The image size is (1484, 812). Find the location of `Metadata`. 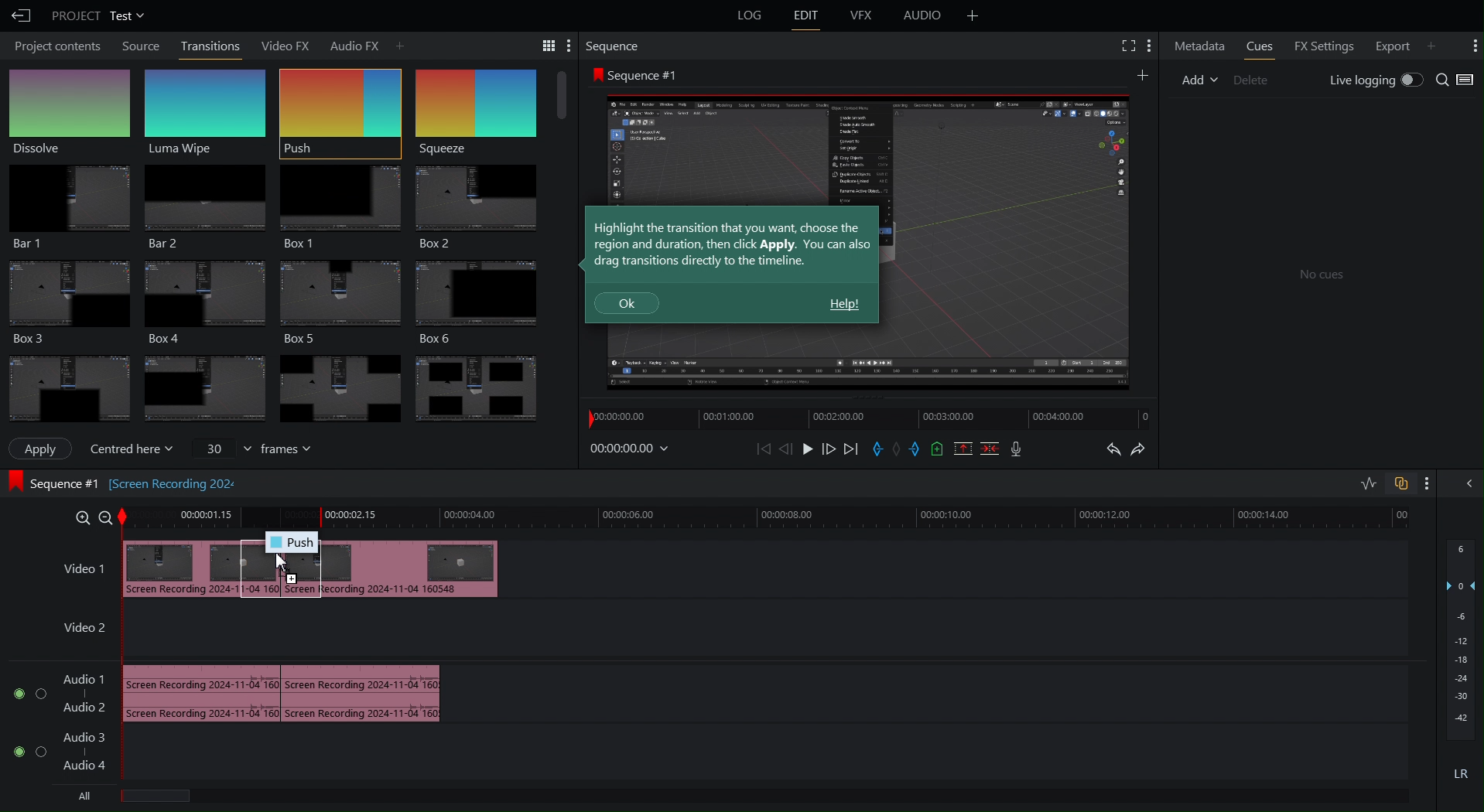

Metadata is located at coordinates (1198, 46).